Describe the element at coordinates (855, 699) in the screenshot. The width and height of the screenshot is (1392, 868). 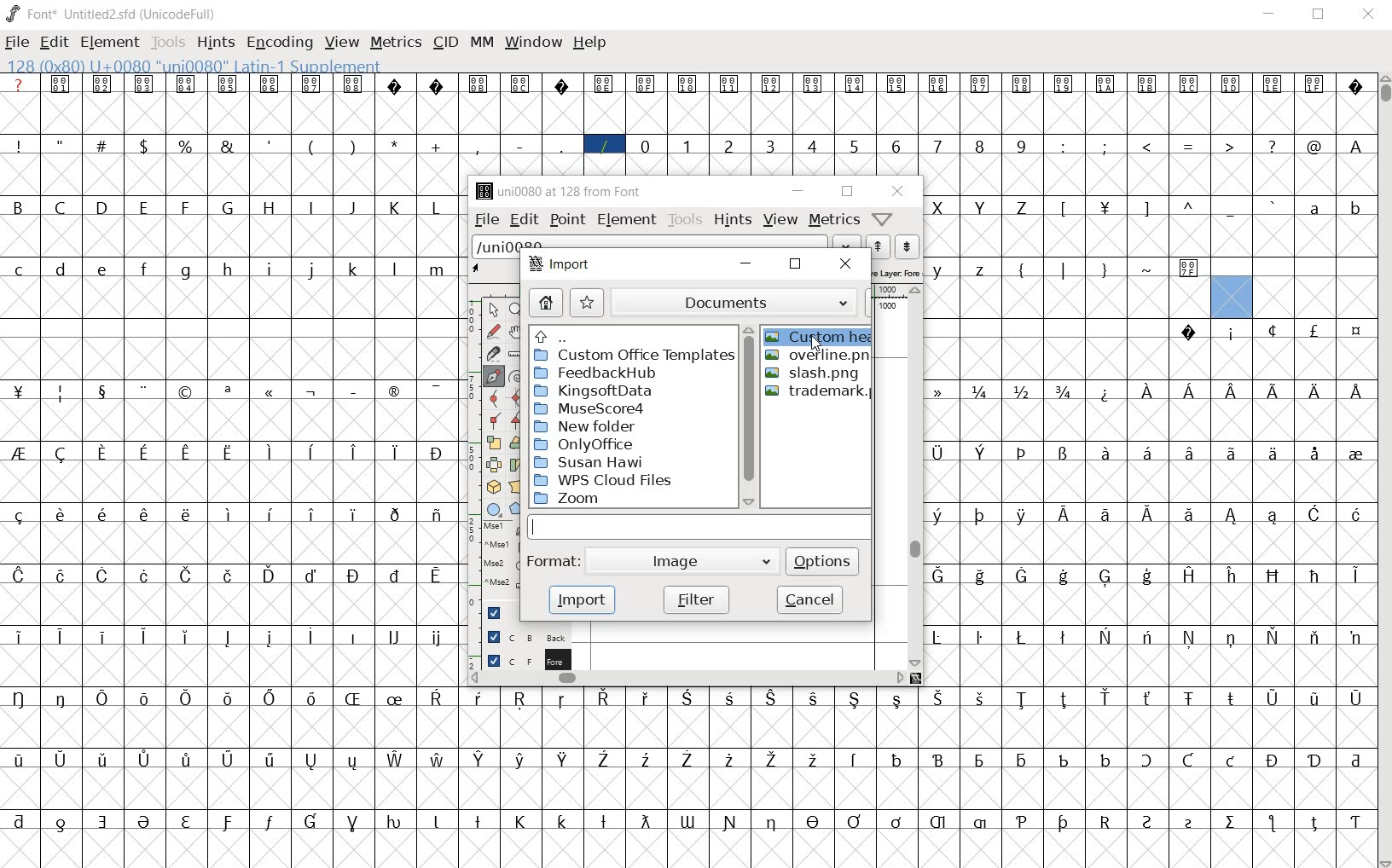
I see `glyph` at that location.